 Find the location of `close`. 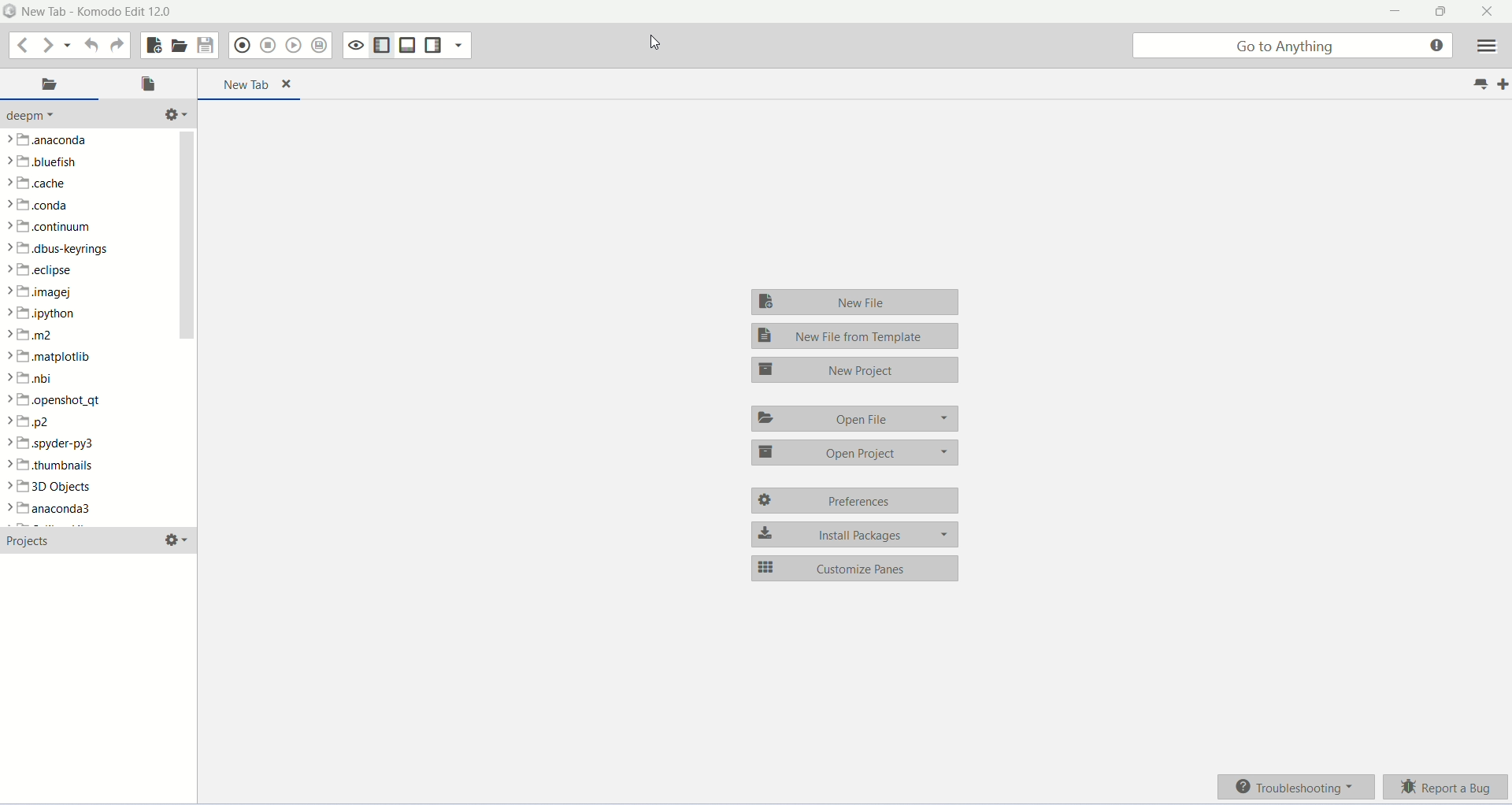

close is located at coordinates (1489, 12).